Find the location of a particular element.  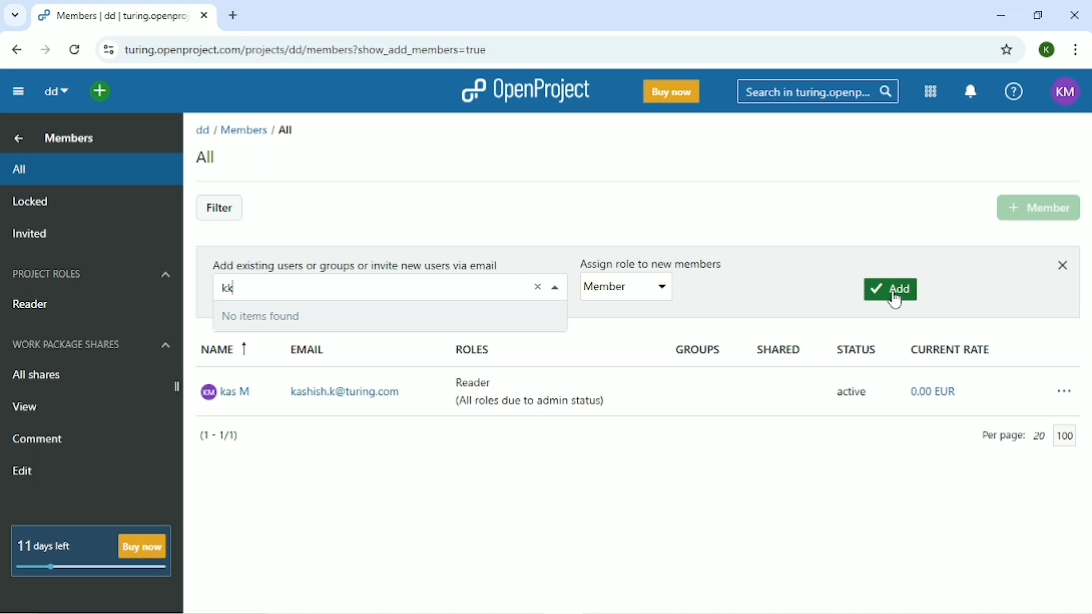

Edit is located at coordinates (25, 472).